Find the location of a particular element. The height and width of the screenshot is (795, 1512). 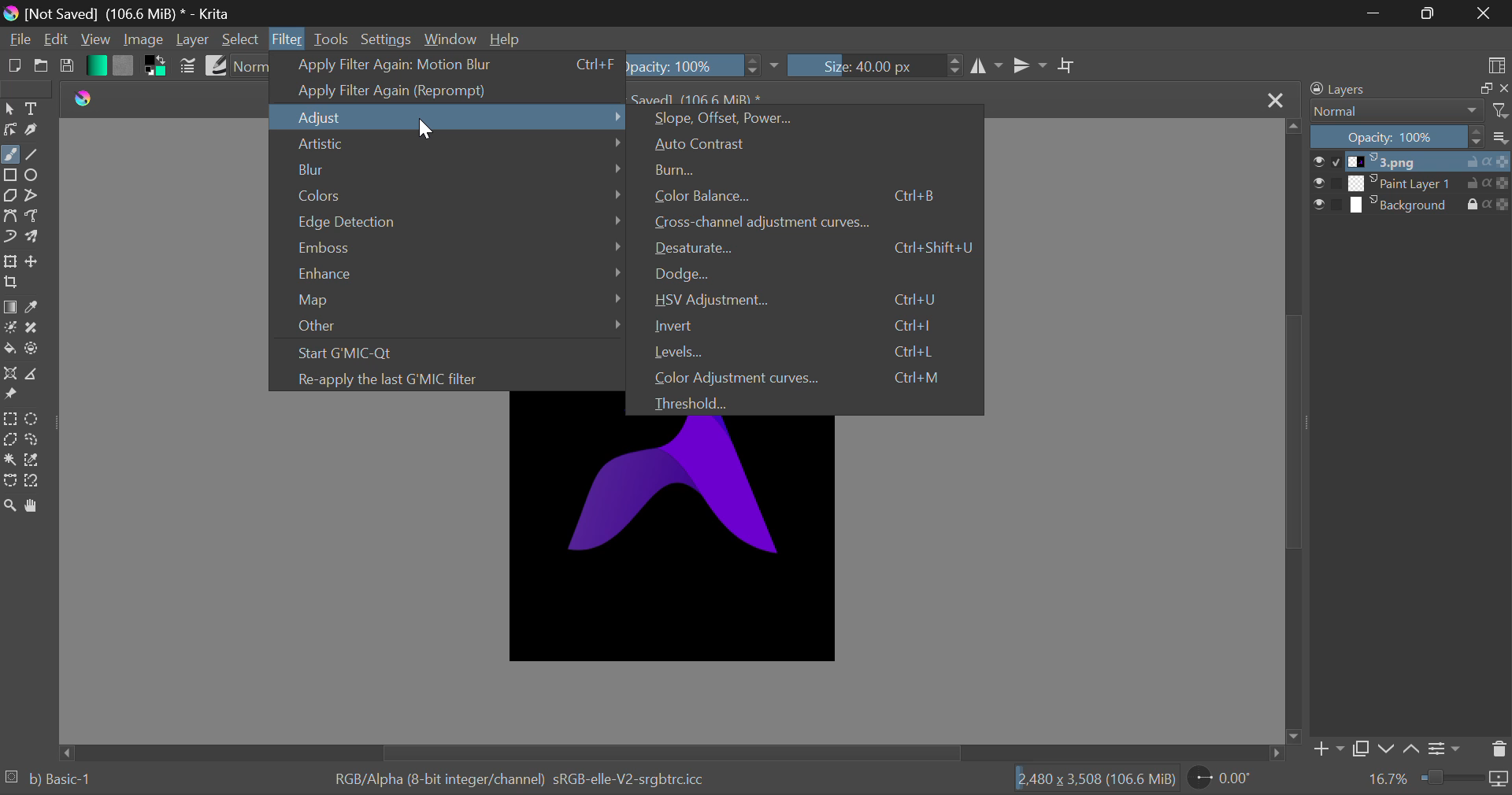

Rectangle is located at coordinates (13, 176).